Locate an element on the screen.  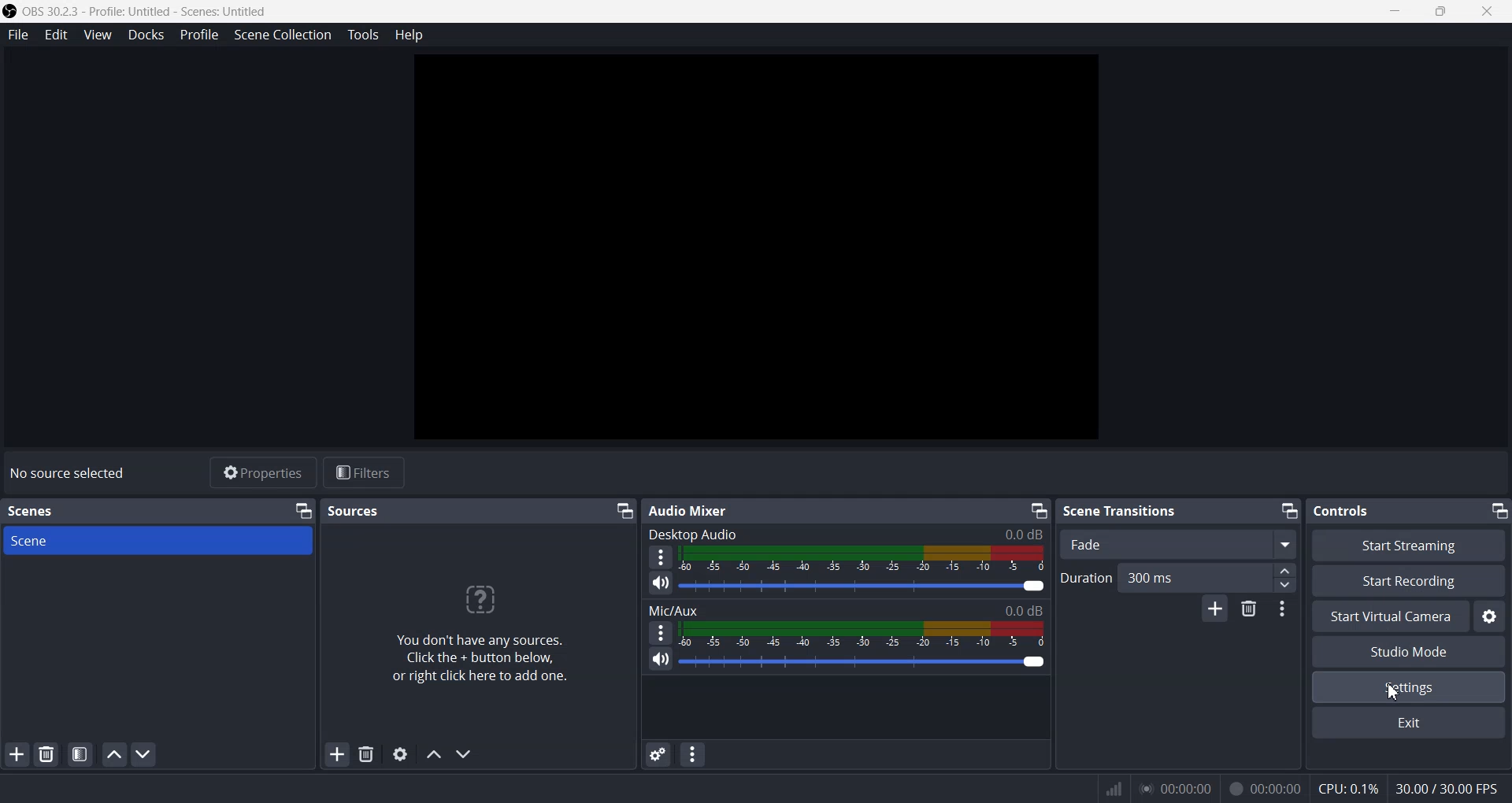
Edit is located at coordinates (57, 36).